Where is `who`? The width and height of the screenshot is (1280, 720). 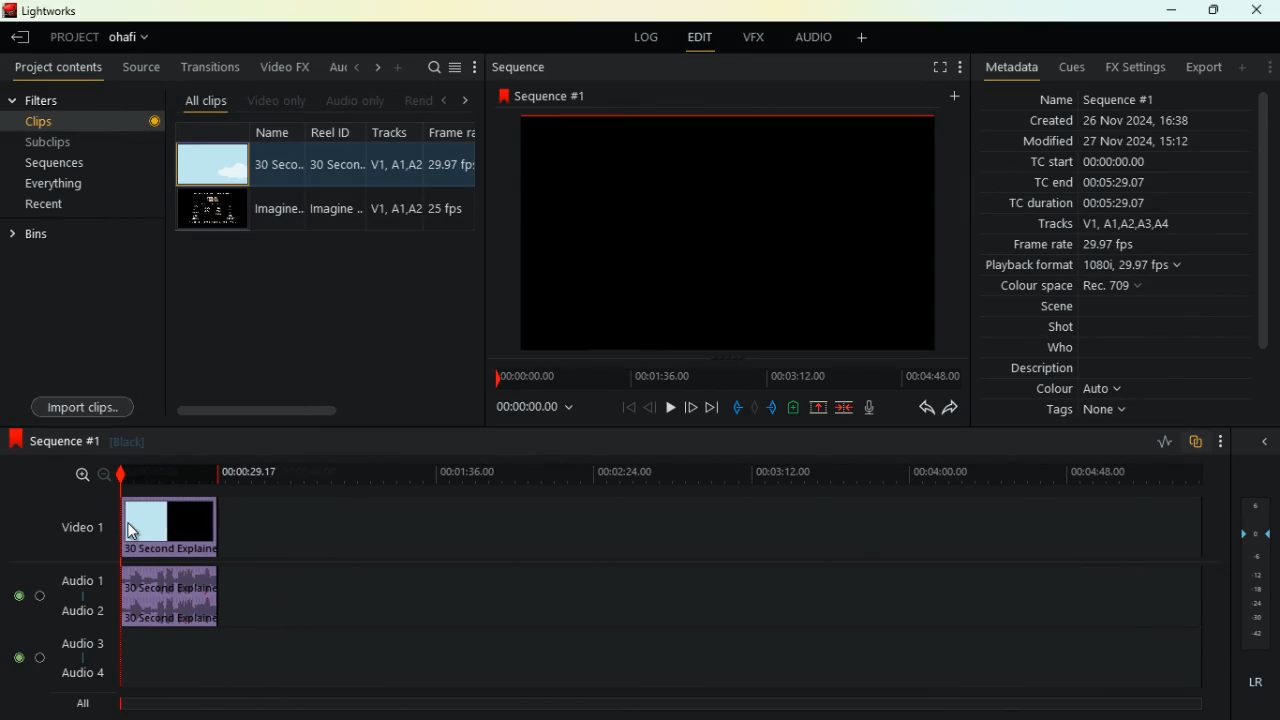 who is located at coordinates (1067, 348).